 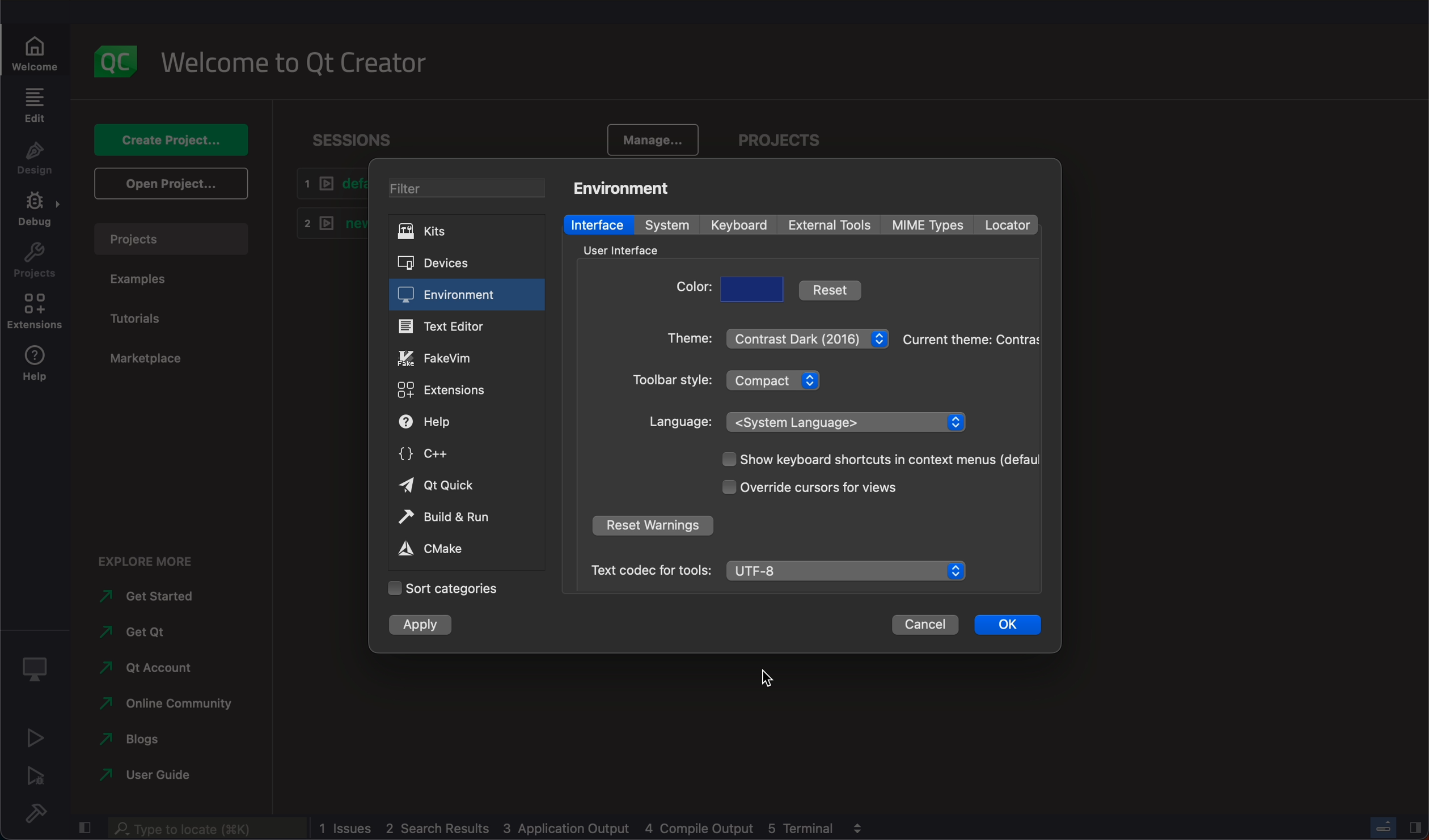 I want to click on text code, so click(x=650, y=570).